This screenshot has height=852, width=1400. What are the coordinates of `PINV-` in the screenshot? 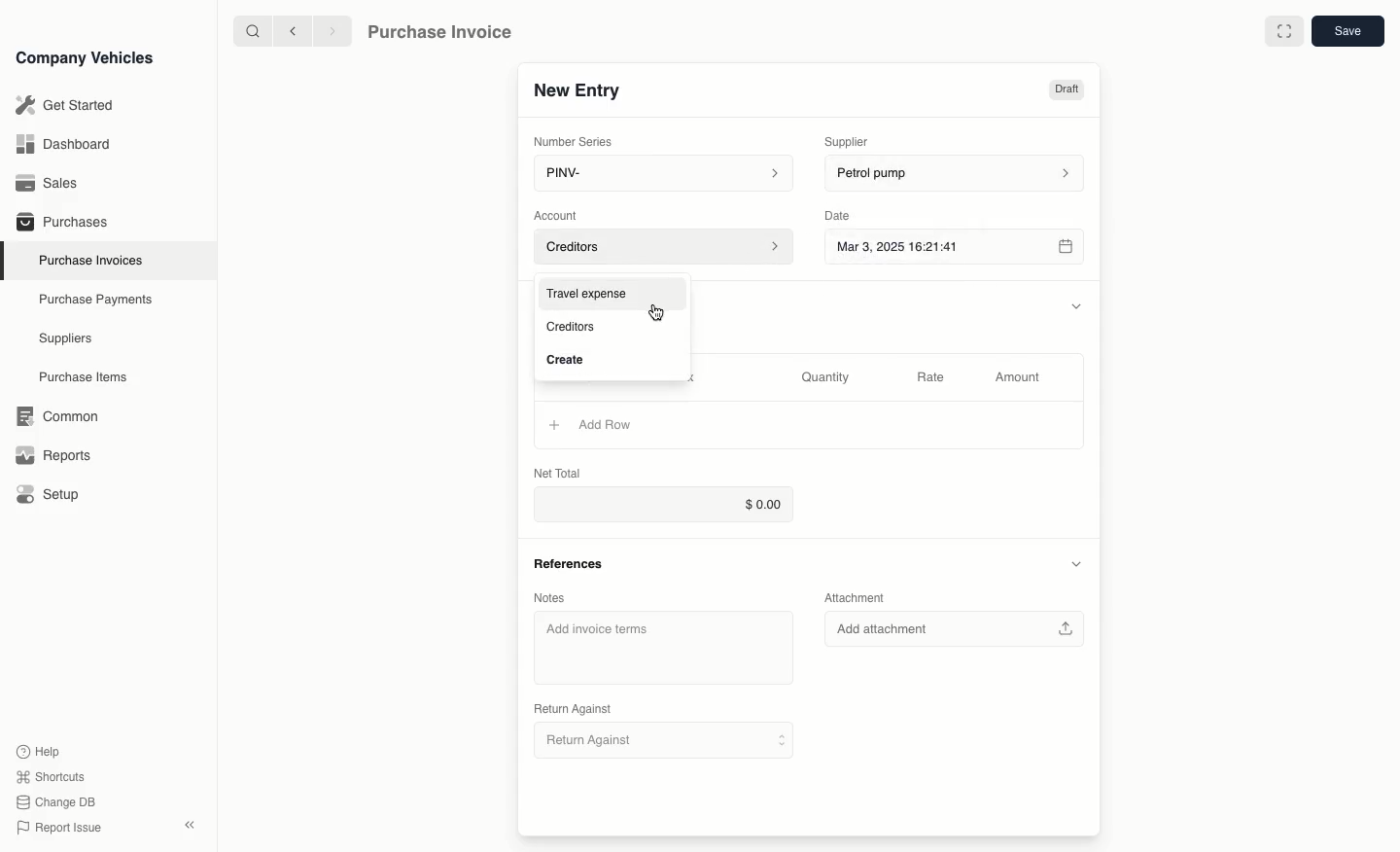 It's located at (657, 175).